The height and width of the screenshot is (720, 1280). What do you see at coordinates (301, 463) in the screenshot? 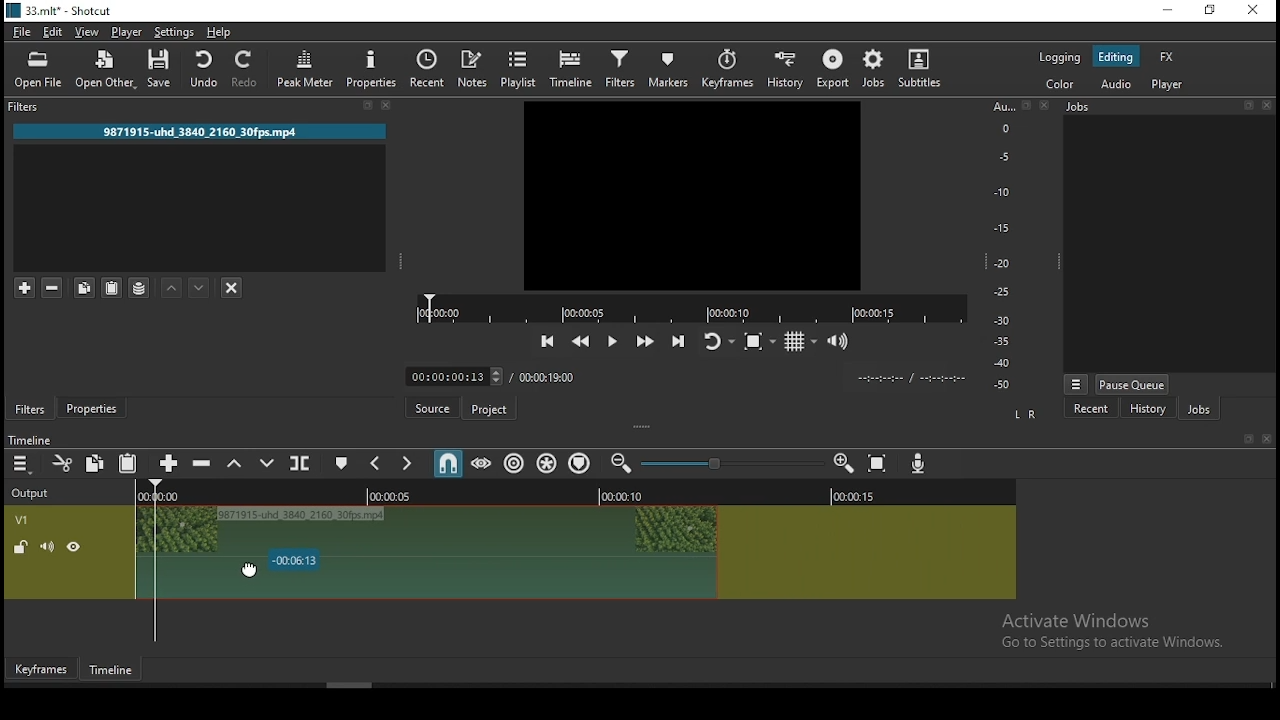
I see `split at playhead` at bounding box center [301, 463].